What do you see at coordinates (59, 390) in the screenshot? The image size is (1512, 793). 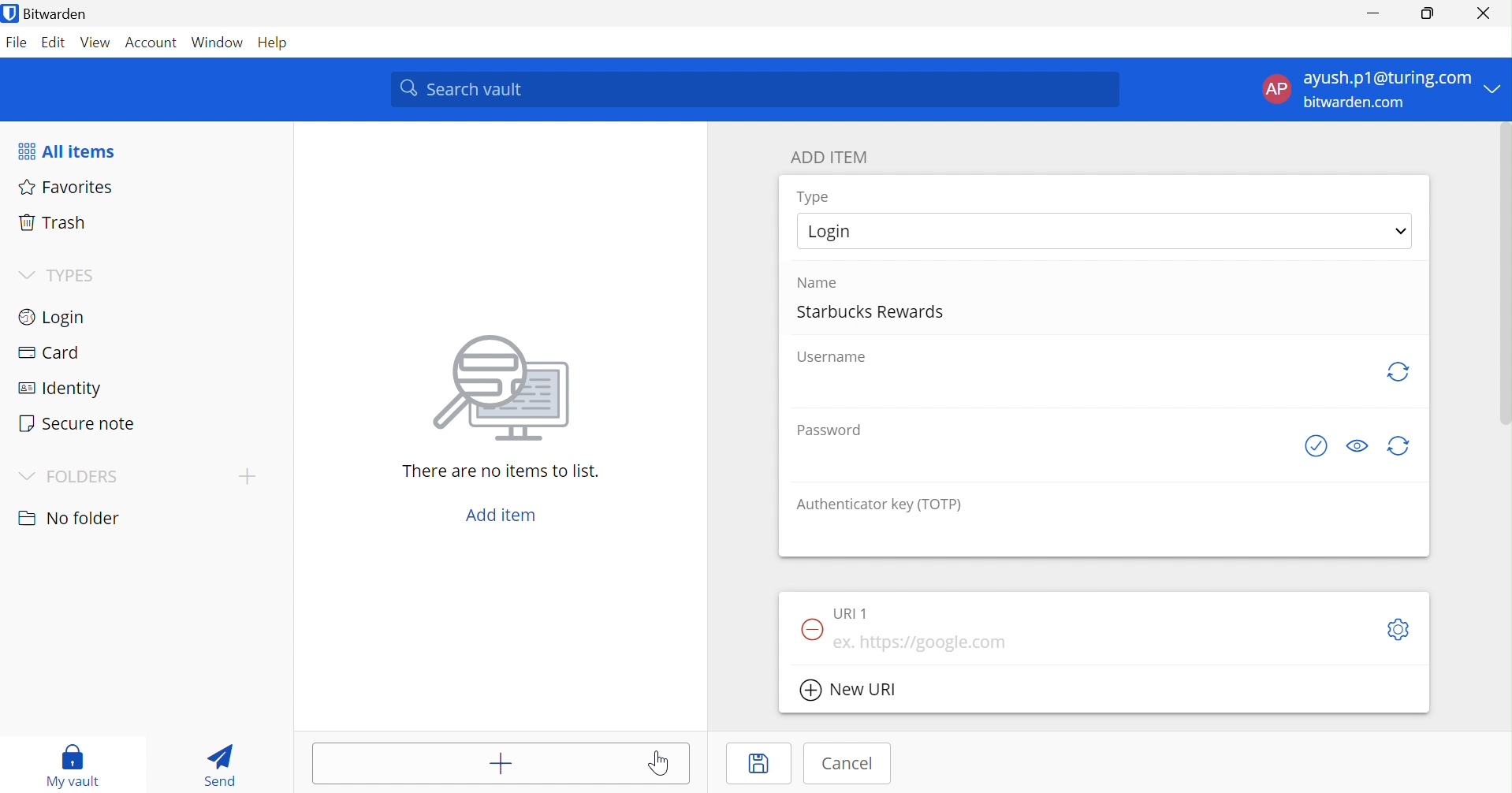 I see `Identify` at bounding box center [59, 390].